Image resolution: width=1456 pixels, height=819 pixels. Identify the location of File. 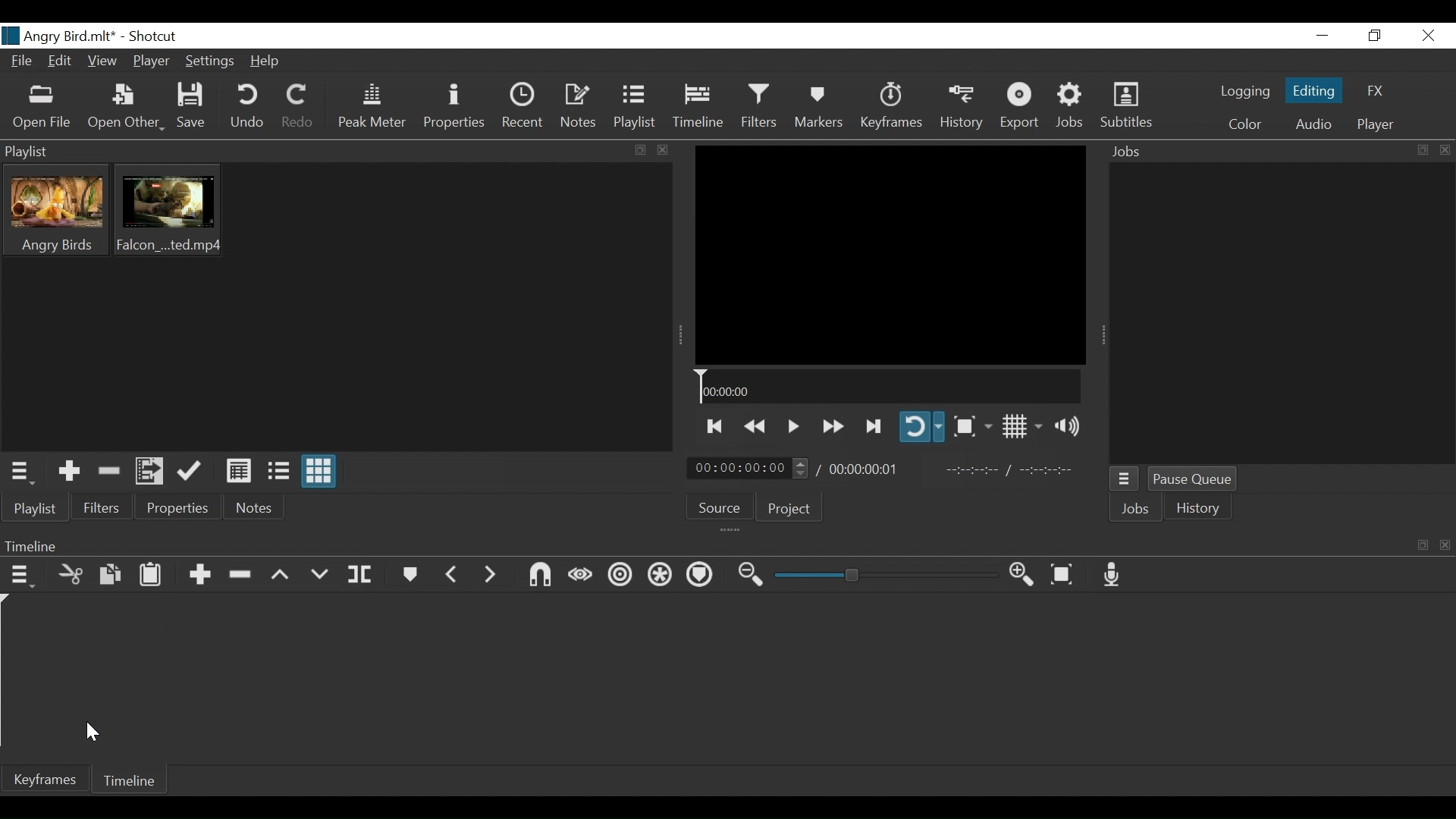
(21, 59).